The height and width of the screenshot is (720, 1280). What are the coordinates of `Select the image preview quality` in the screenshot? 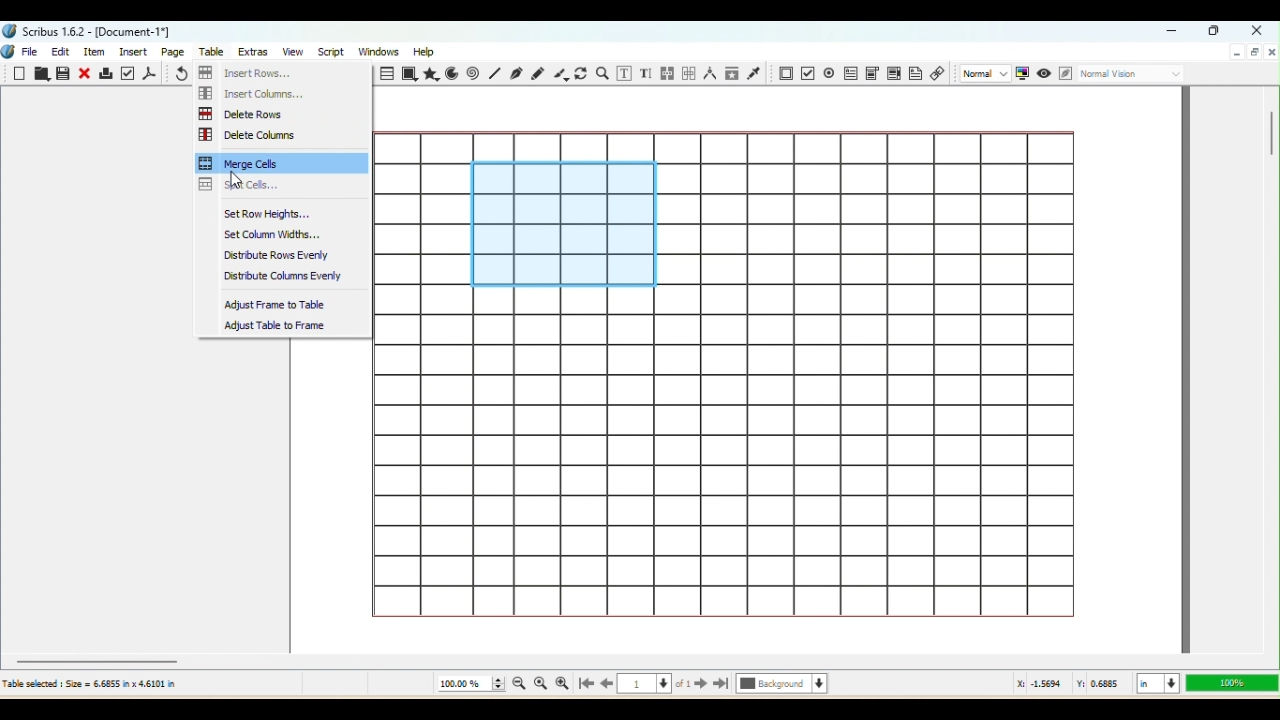 It's located at (983, 73).